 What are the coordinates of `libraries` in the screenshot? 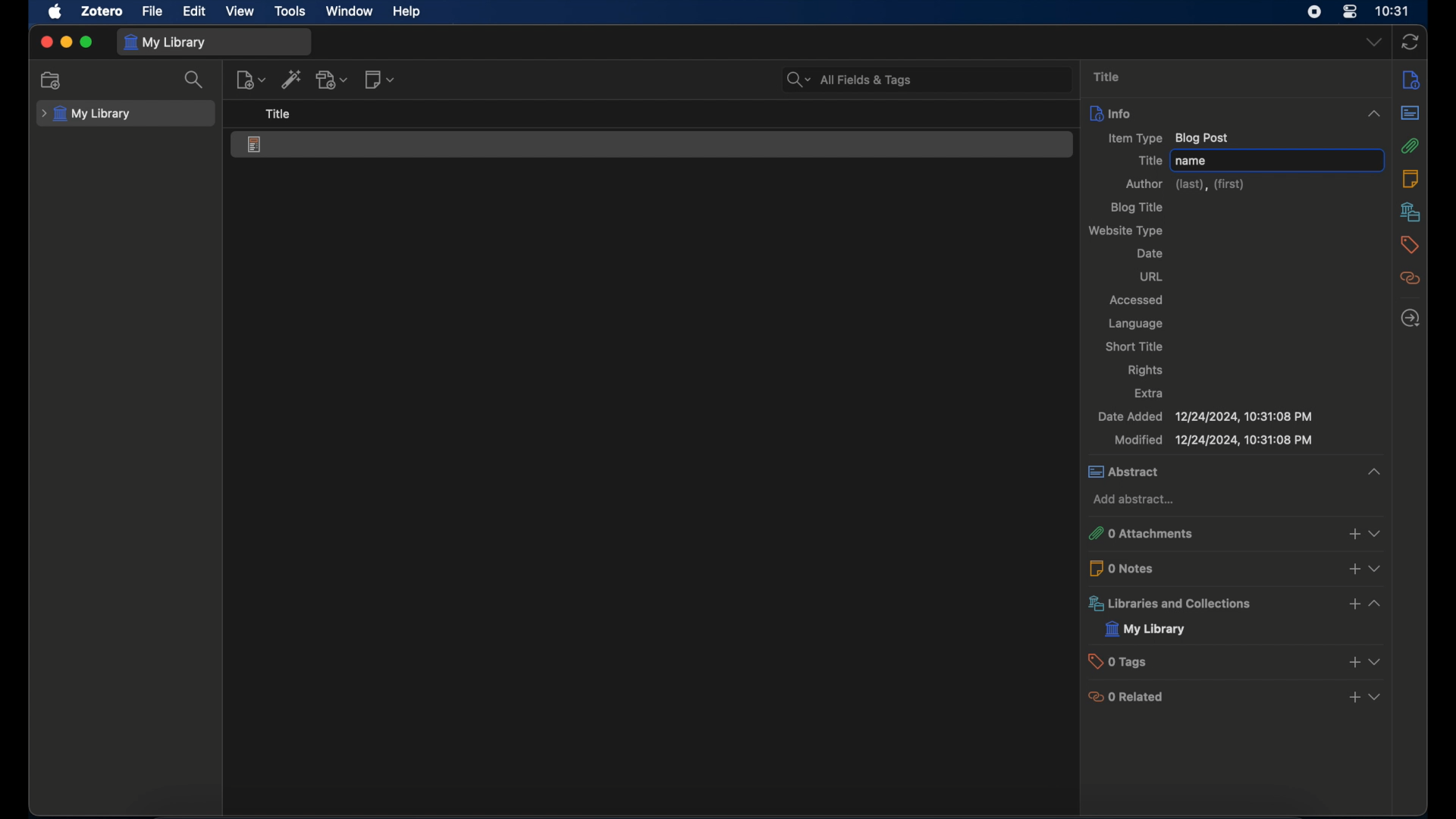 It's located at (1410, 212).